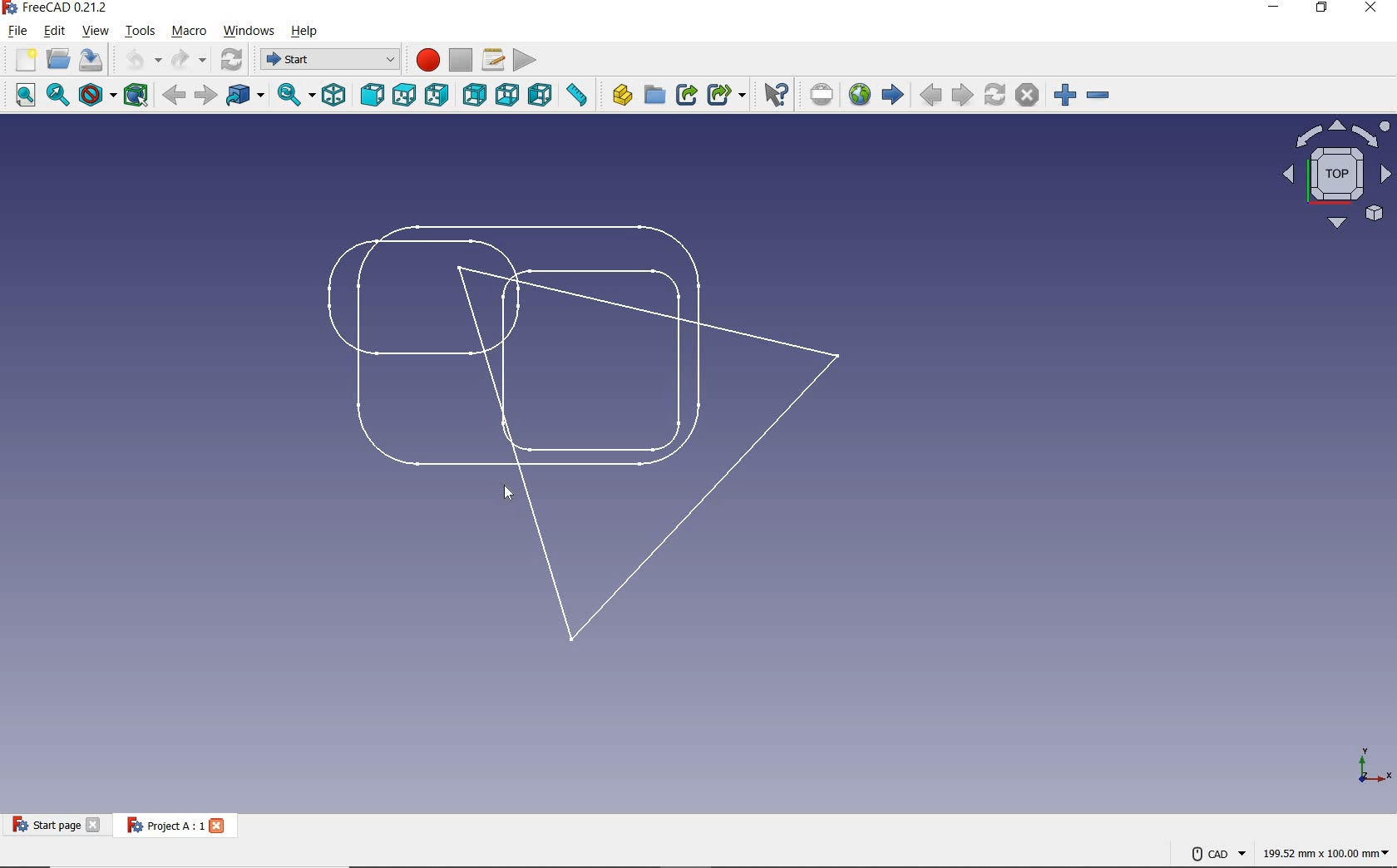  Describe the element at coordinates (1330, 180) in the screenshot. I see `VIEW OF THE PANE` at that location.